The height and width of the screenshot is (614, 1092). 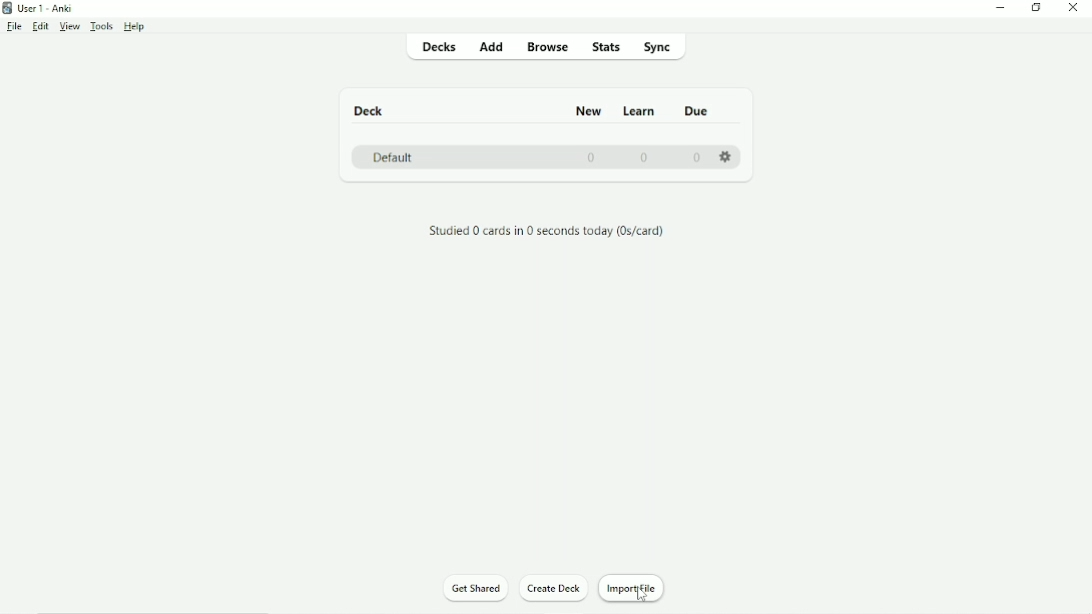 What do you see at coordinates (554, 587) in the screenshot?
I see `Create Deck` at bounding box center [554, 587].